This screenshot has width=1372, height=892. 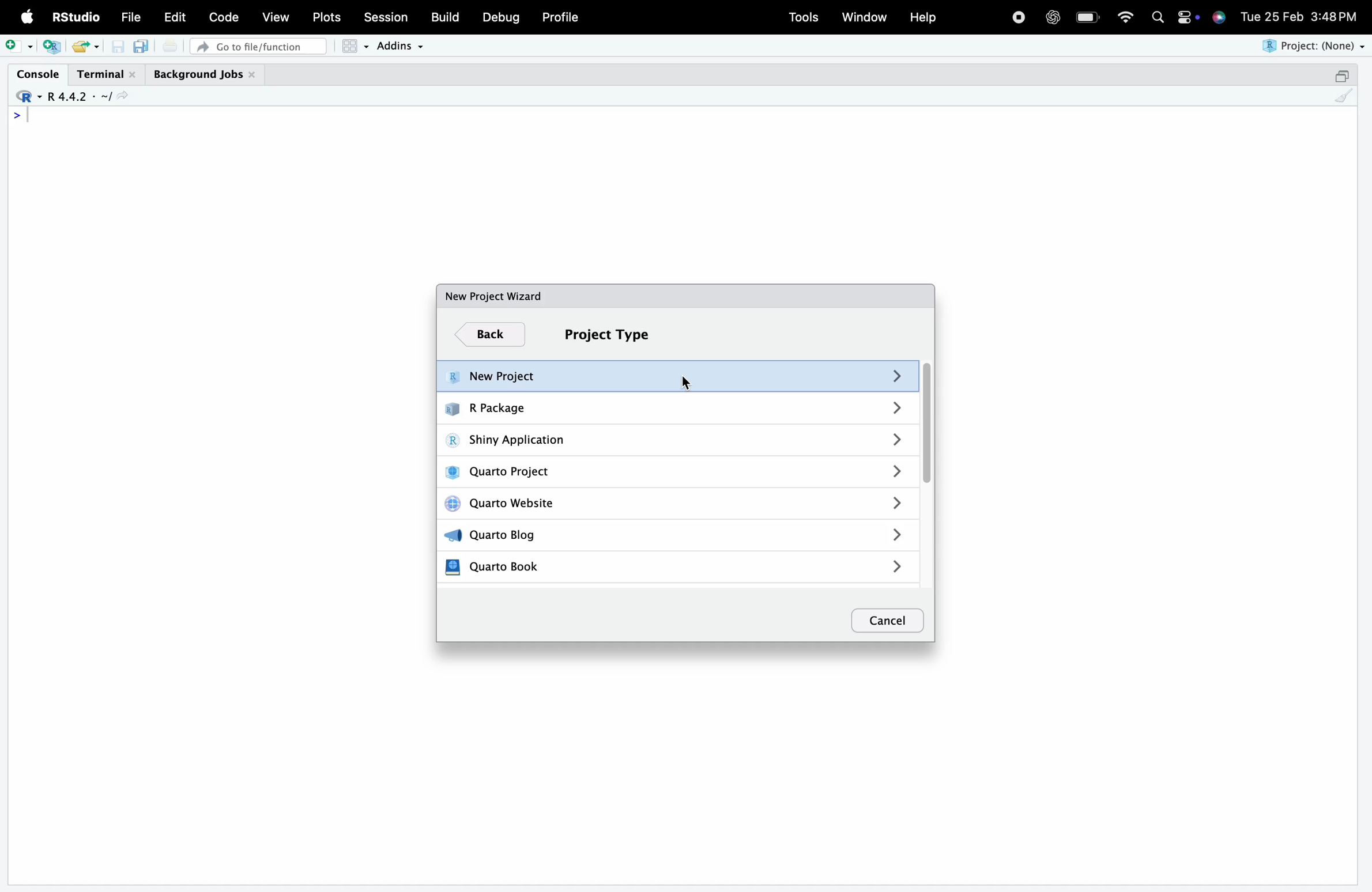 I want to click on Plots, so click(x=325, y=17).